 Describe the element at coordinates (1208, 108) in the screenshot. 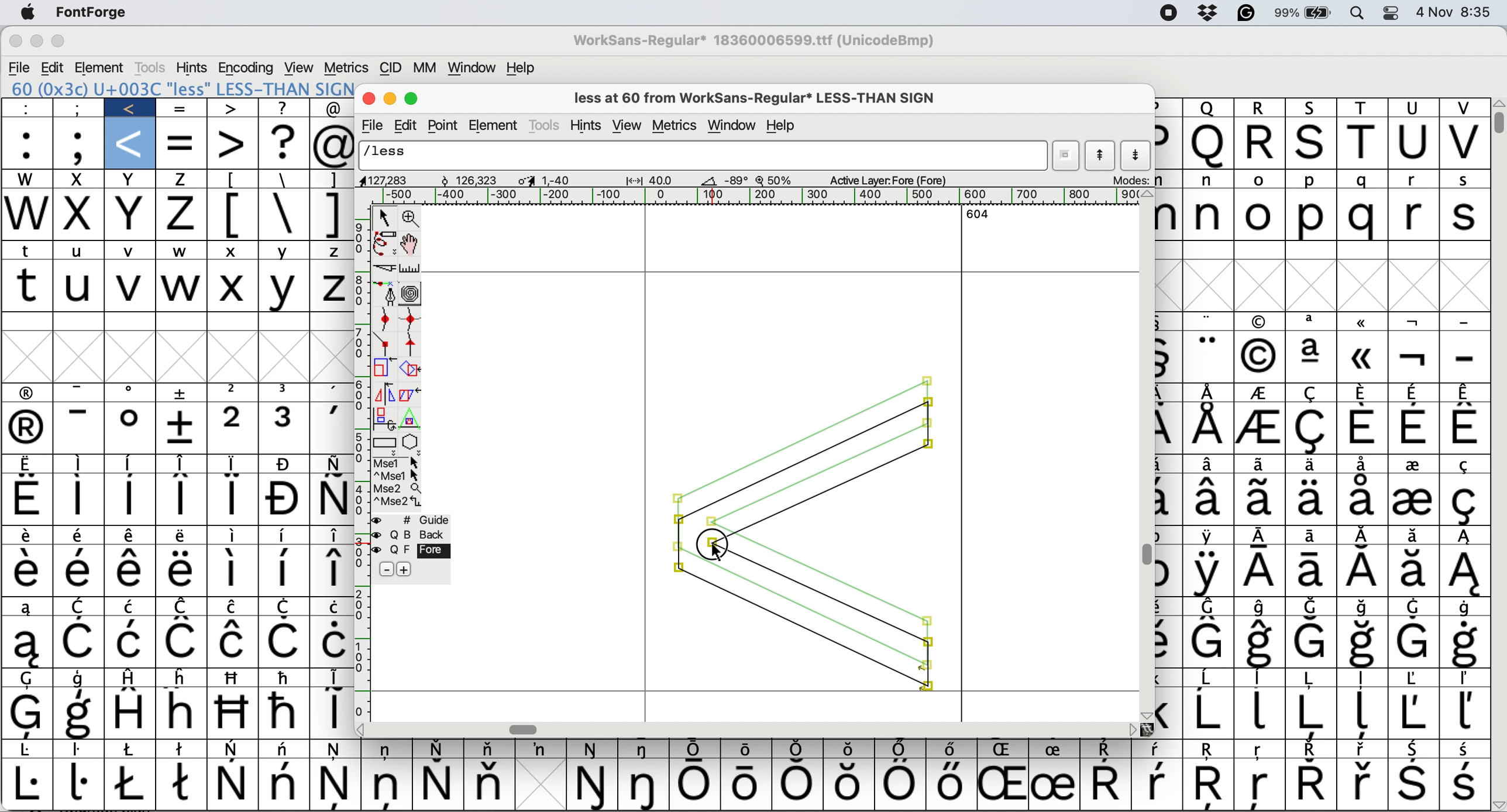

I see `q` at that location.